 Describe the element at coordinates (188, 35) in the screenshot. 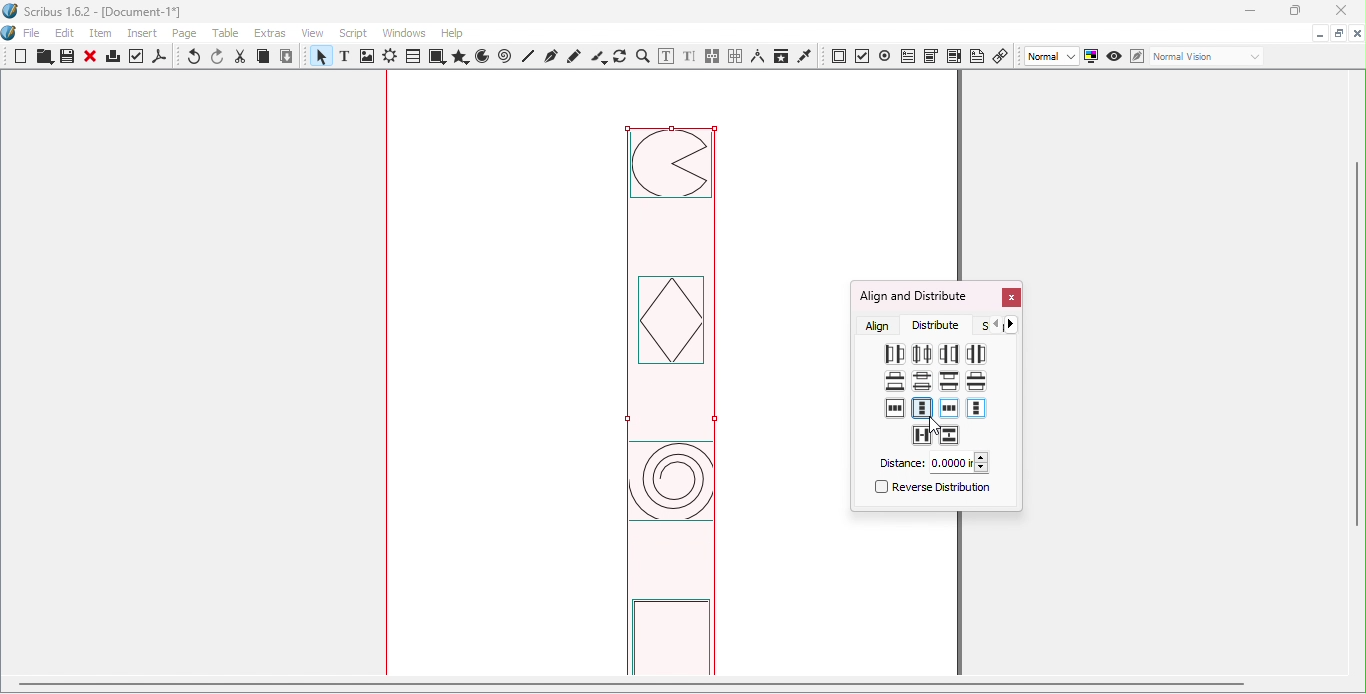

I see `Page` at that location.